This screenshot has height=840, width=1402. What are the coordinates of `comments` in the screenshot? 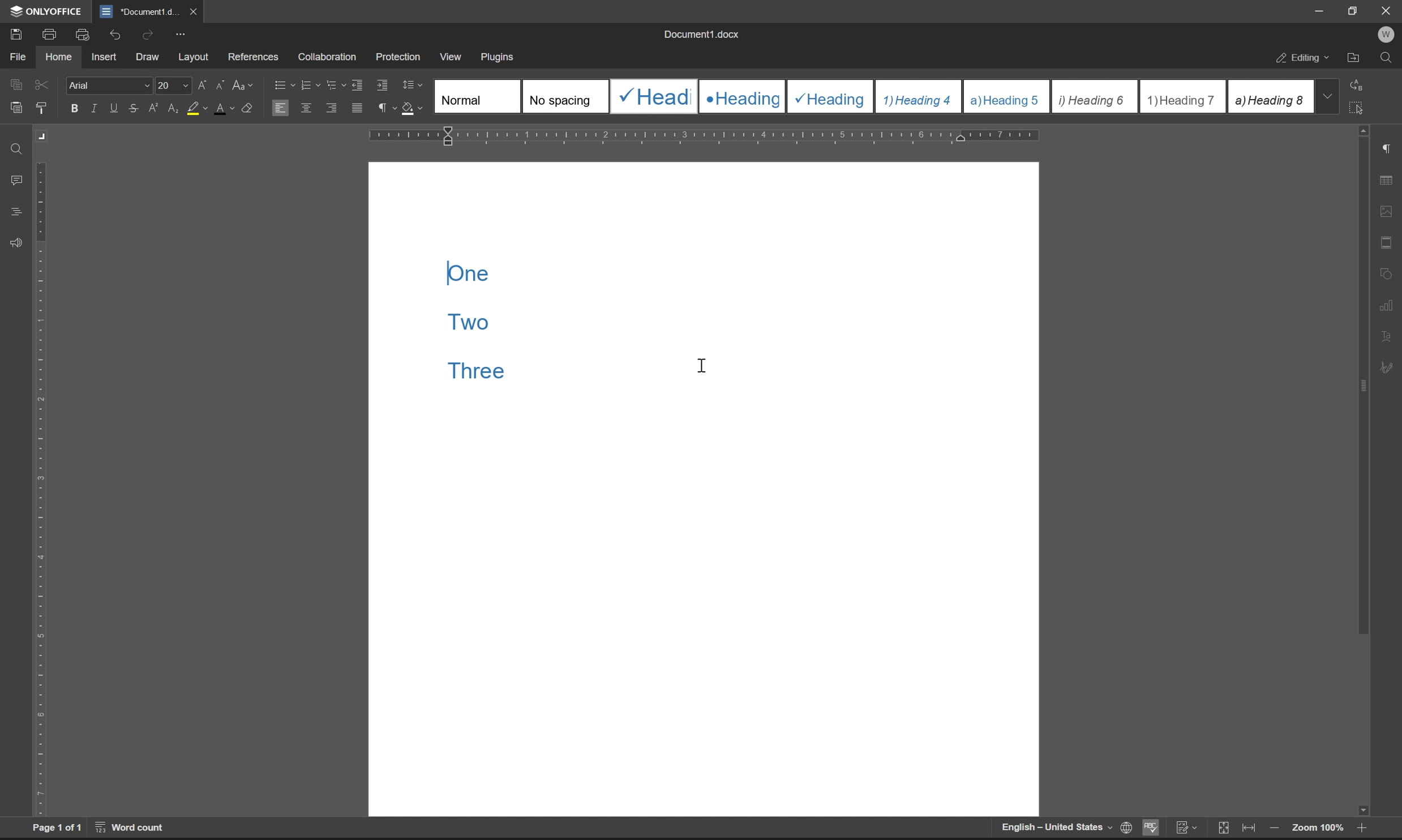 It's located at (19, 181).